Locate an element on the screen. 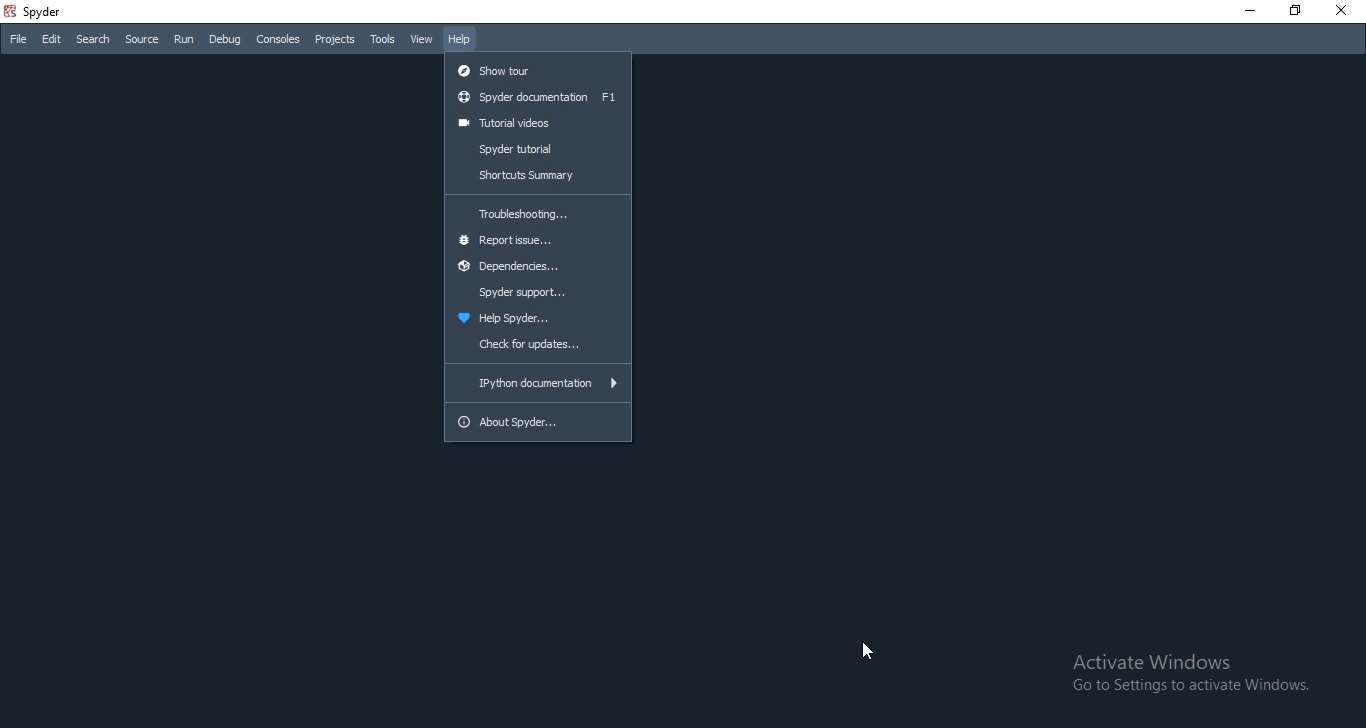 The width and height of the screenshot is (1366, 728). check for updates is located at coordinates (536, 346).